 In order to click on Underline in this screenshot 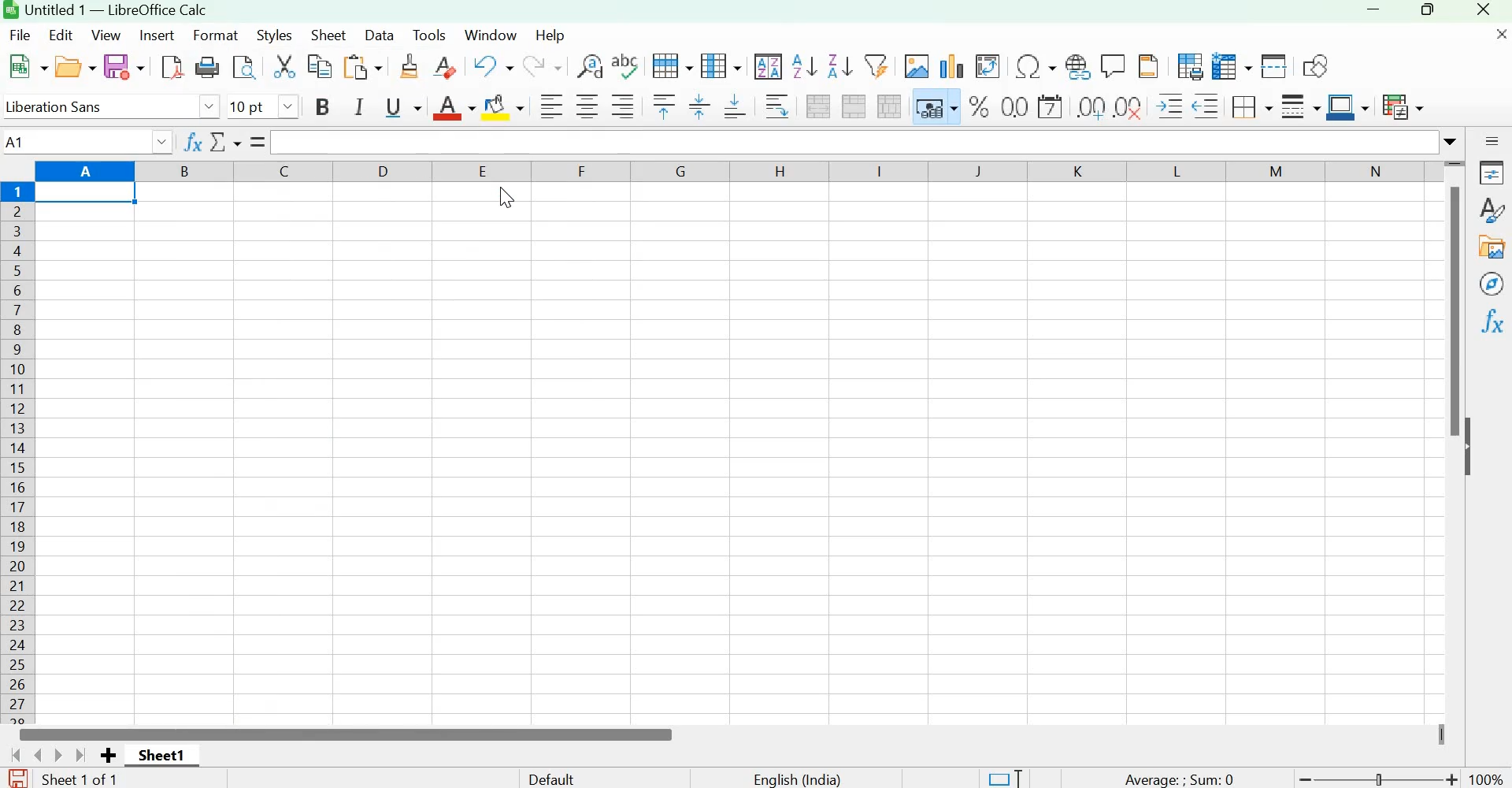, I will do `click(402, 106)`.